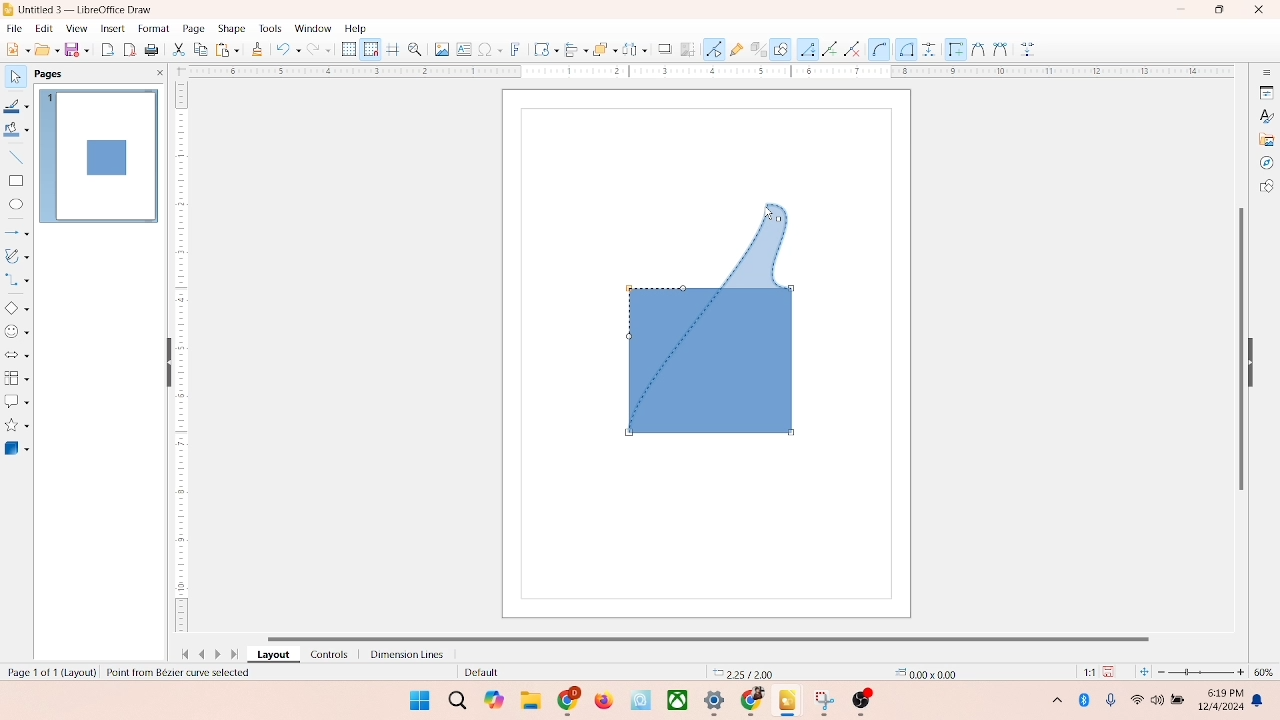 Image resolution: width=1280 pixels, height=720 pixels. What do you see at coordinates (200, 51) in the screenshot?
I see `copy` at bounding box center [200, 51].